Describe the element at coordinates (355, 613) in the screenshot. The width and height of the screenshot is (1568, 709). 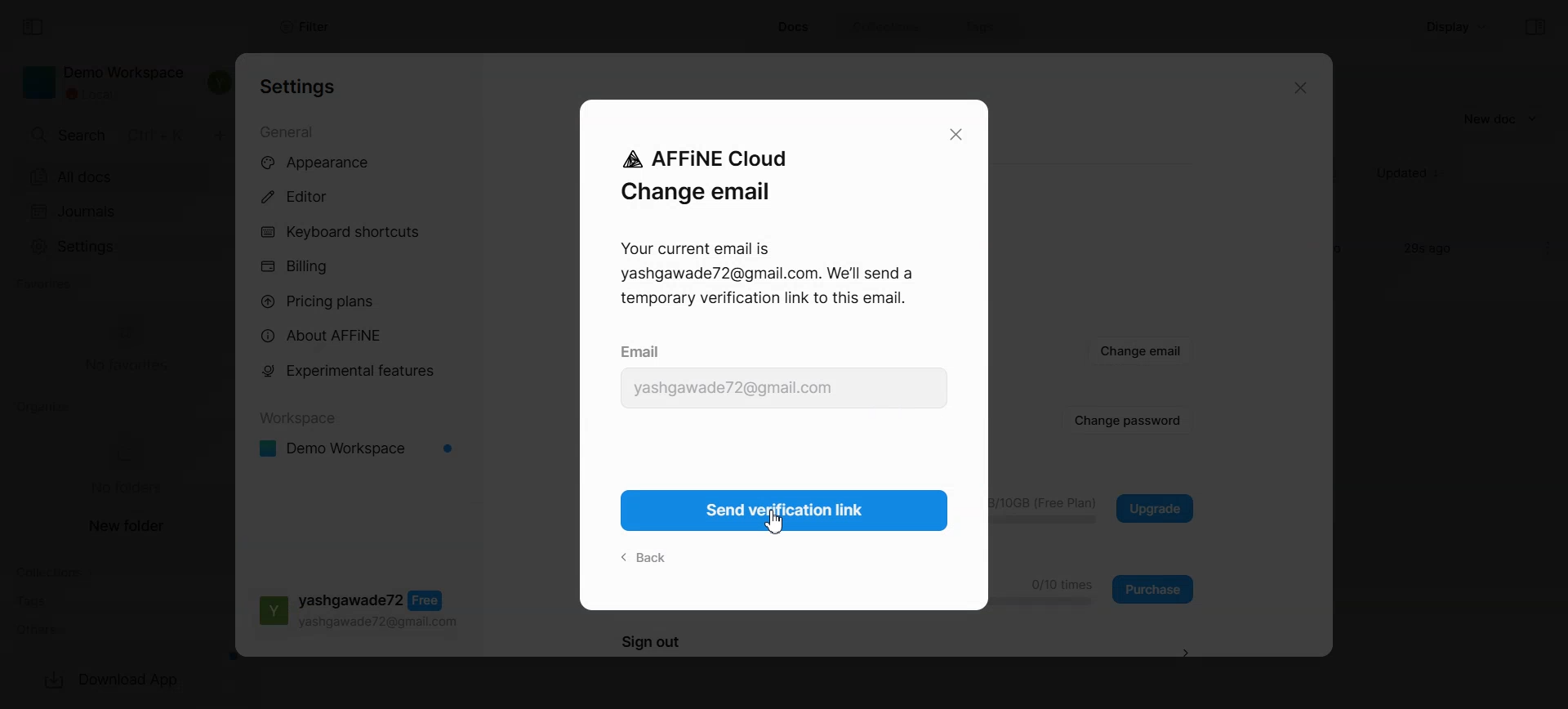
I see `Free Plans` at that location.